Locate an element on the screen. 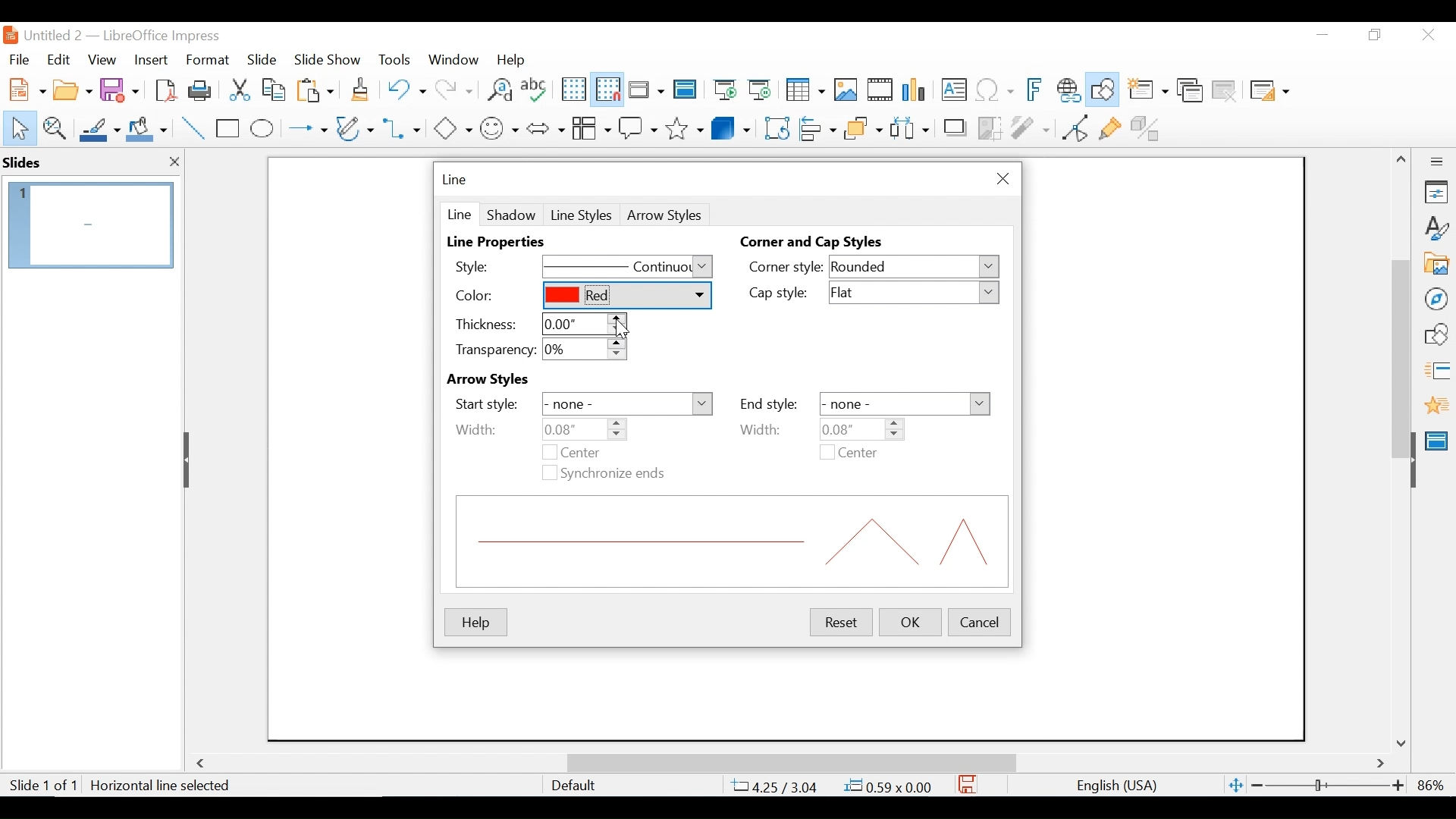 Image resolution: width=1456 pixels, height=819 pixels. Start from First Slide is located at coordinates (723, 91).